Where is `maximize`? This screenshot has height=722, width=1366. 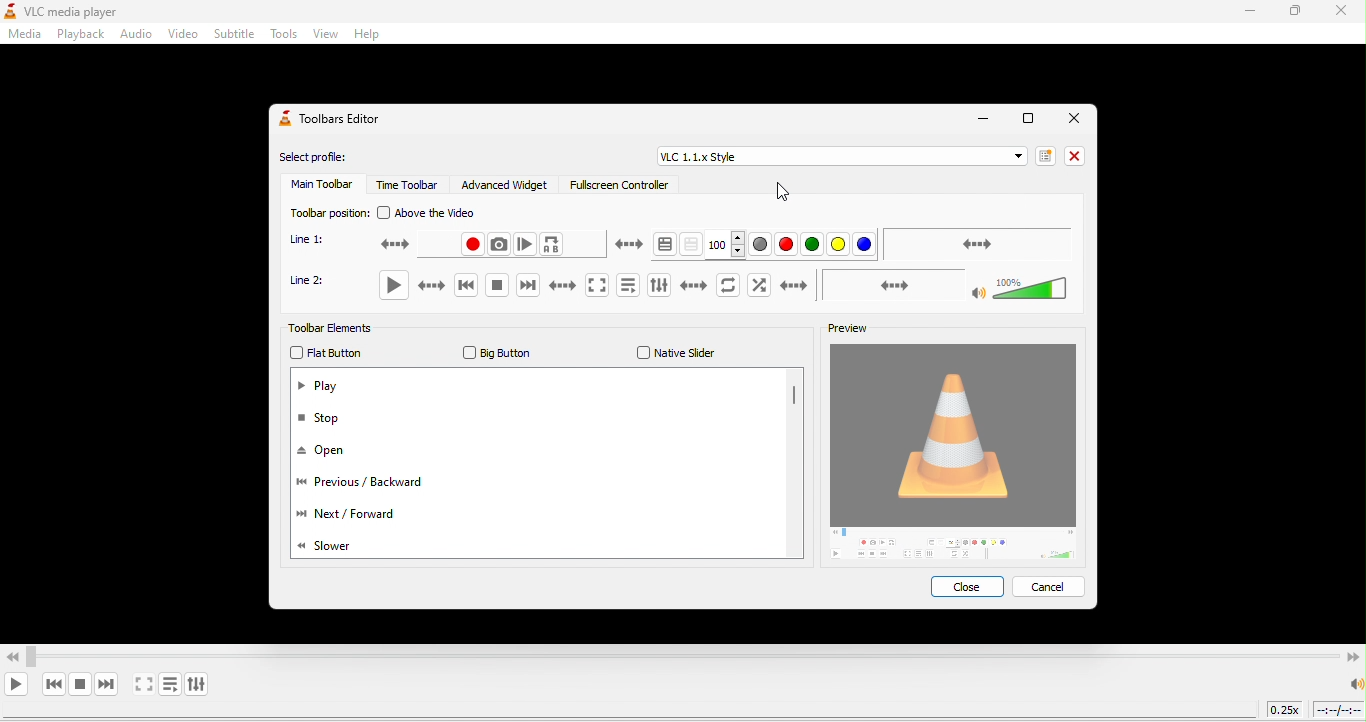
maximize is located at coordinates (1300, 13).